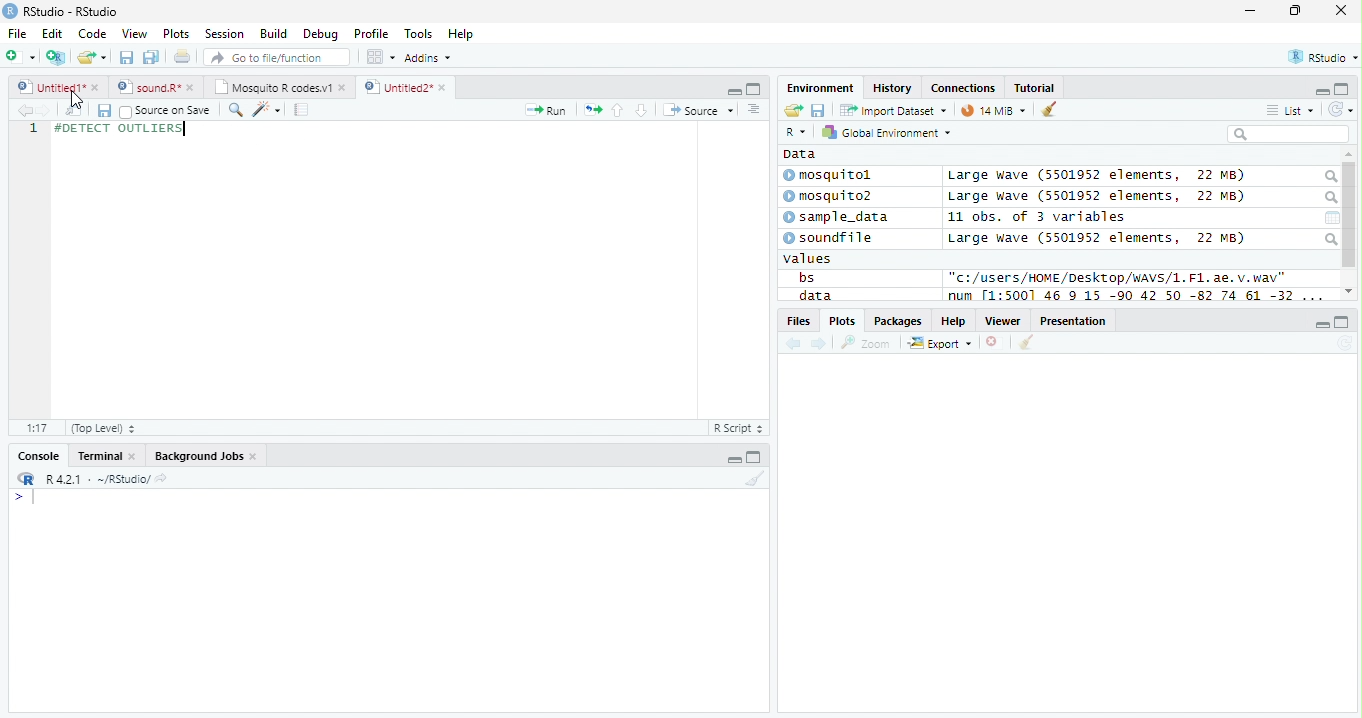 The image size is (1362, 718). What do you see at coordinates (831, 176) in the screenshot?
I see `mosquito1` at bounding box center [831, 176].